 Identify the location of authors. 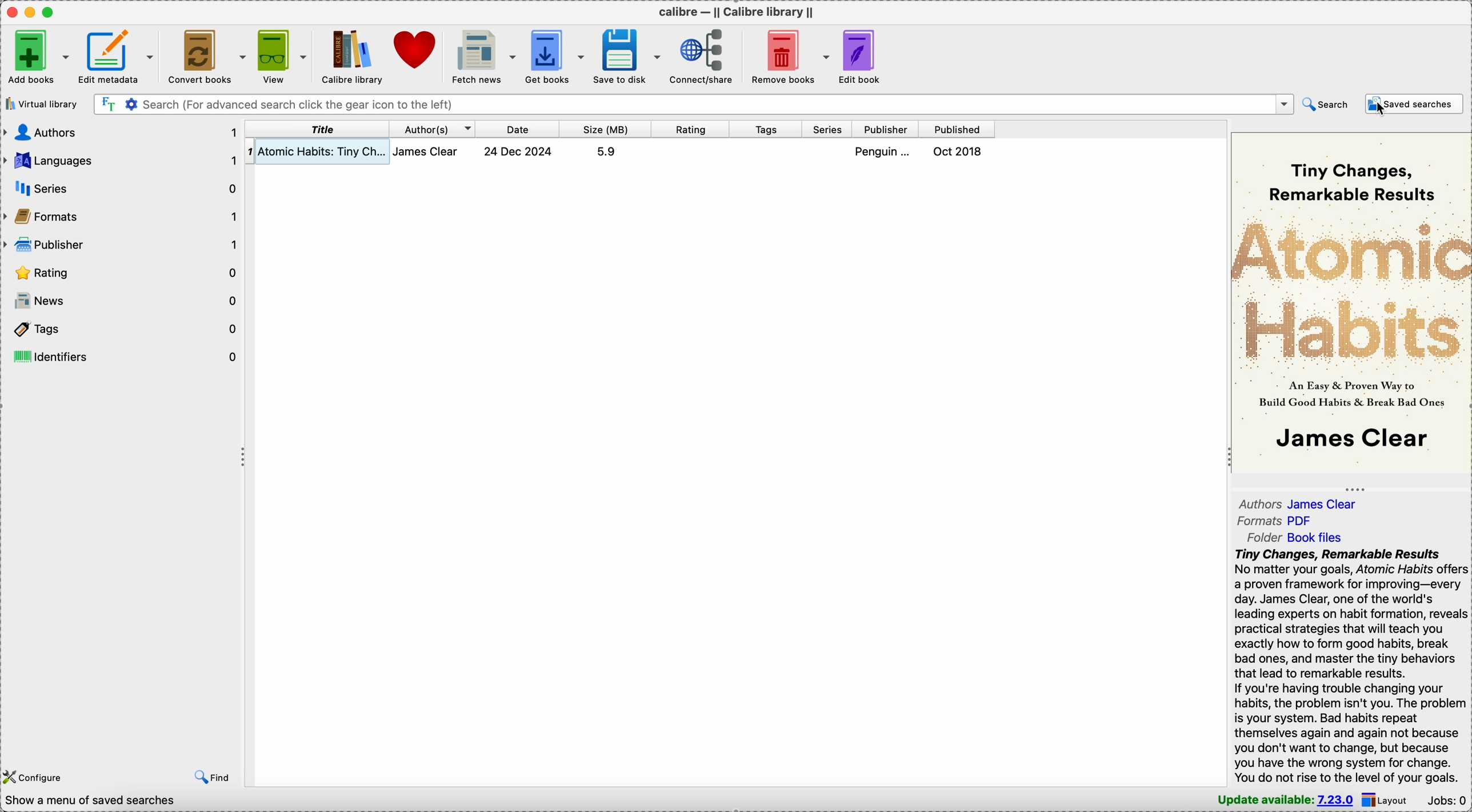
(433, 129).